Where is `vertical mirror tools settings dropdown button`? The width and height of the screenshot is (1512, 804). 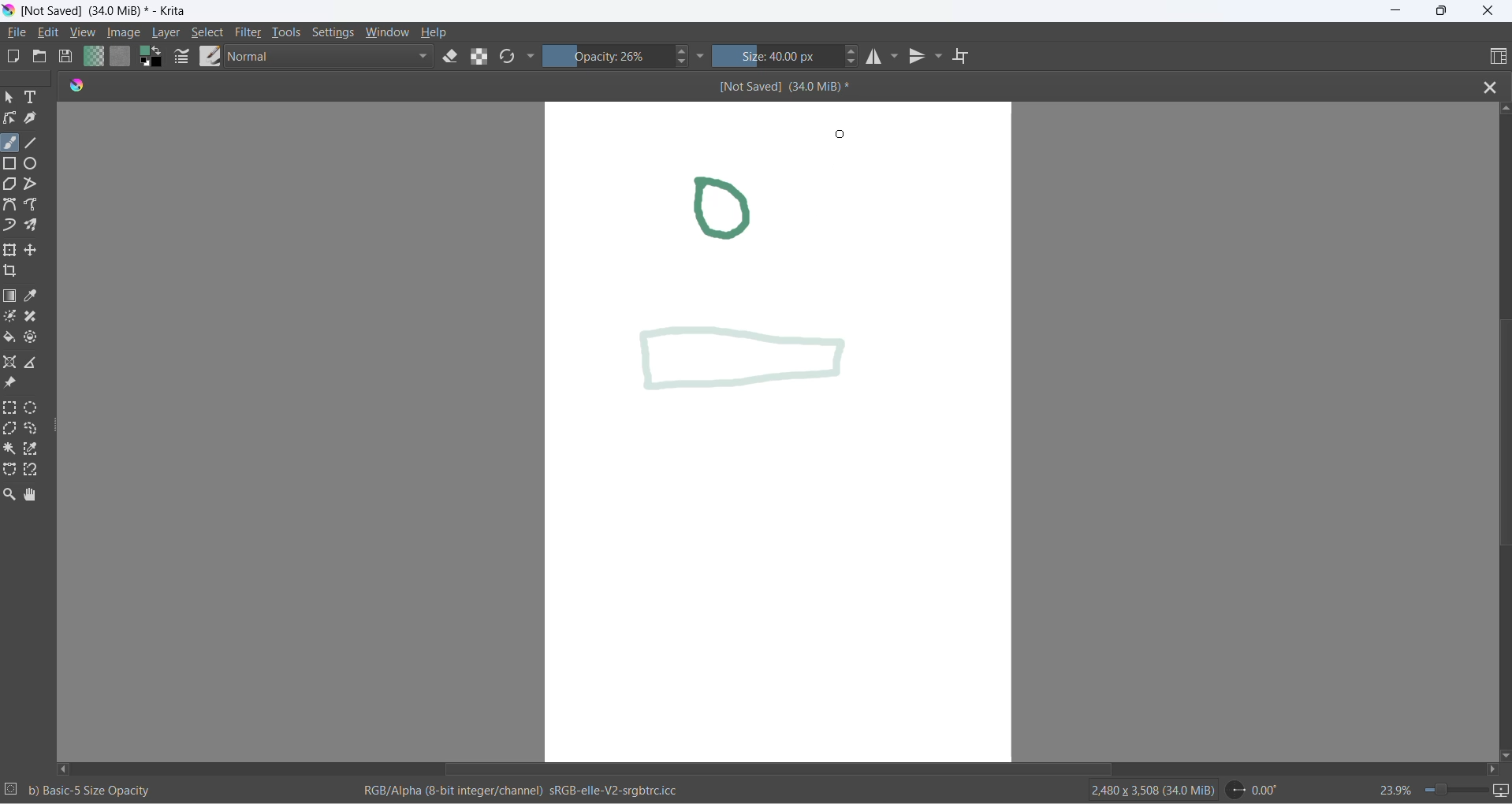
vertical mirror tools settings dropdown button is located at coordinates (940, 58).